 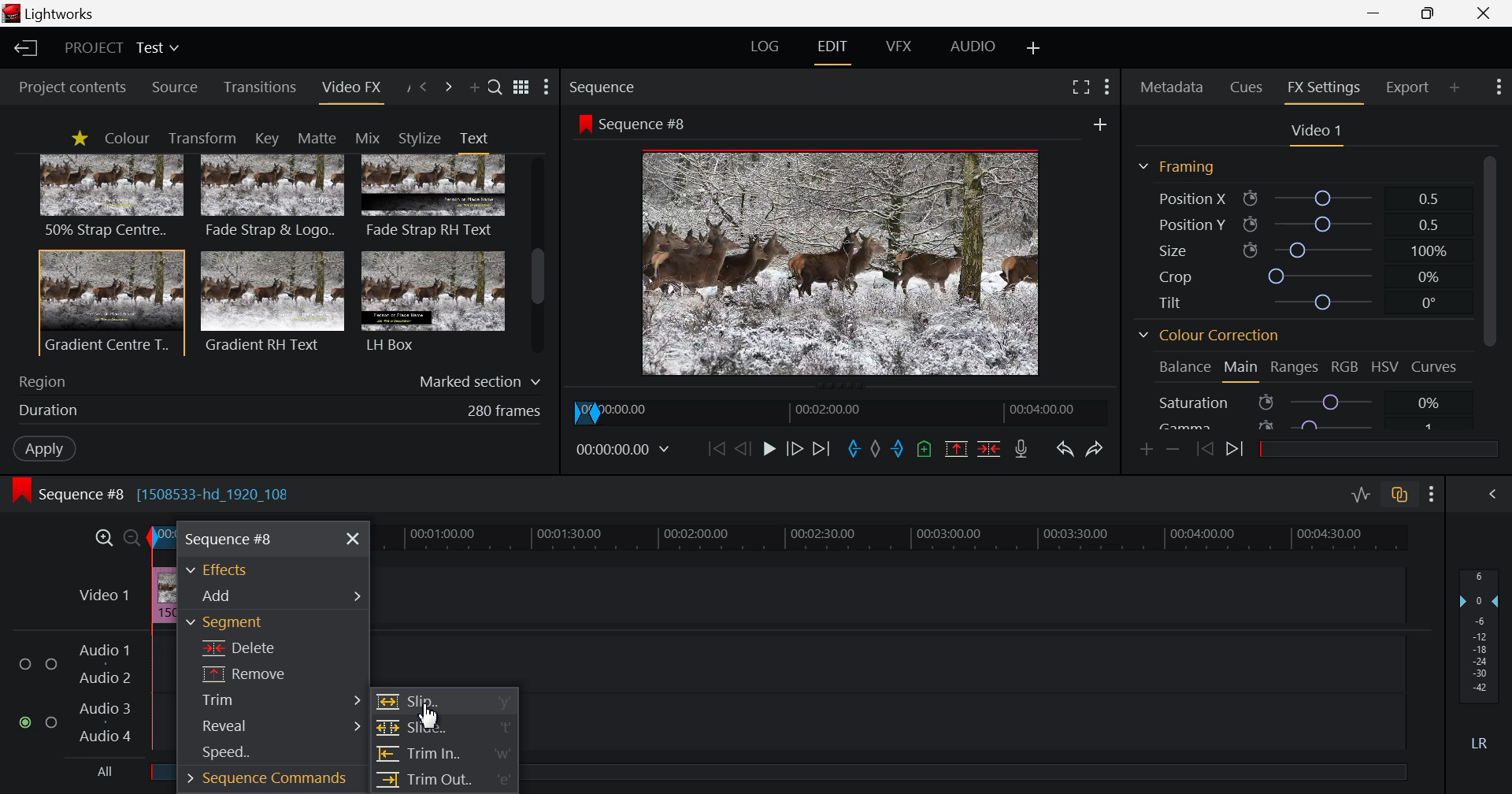 I want to click on Go Forward, so click(x=793, y=447).